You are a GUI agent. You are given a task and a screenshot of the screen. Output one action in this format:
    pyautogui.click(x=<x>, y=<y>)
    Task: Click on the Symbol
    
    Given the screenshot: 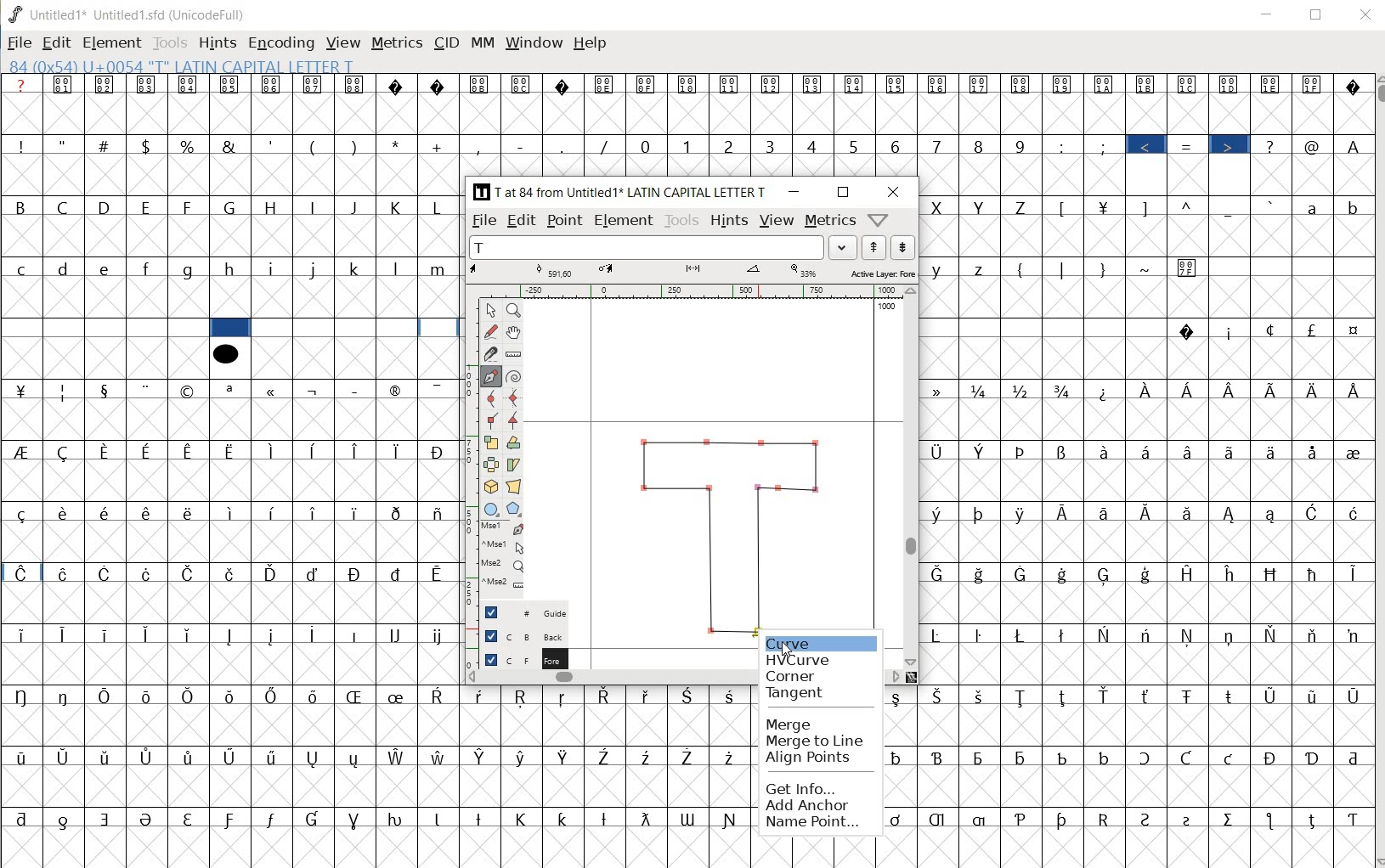 What is the action you would take?
    pyautogui.click(x=399, y=573)
    